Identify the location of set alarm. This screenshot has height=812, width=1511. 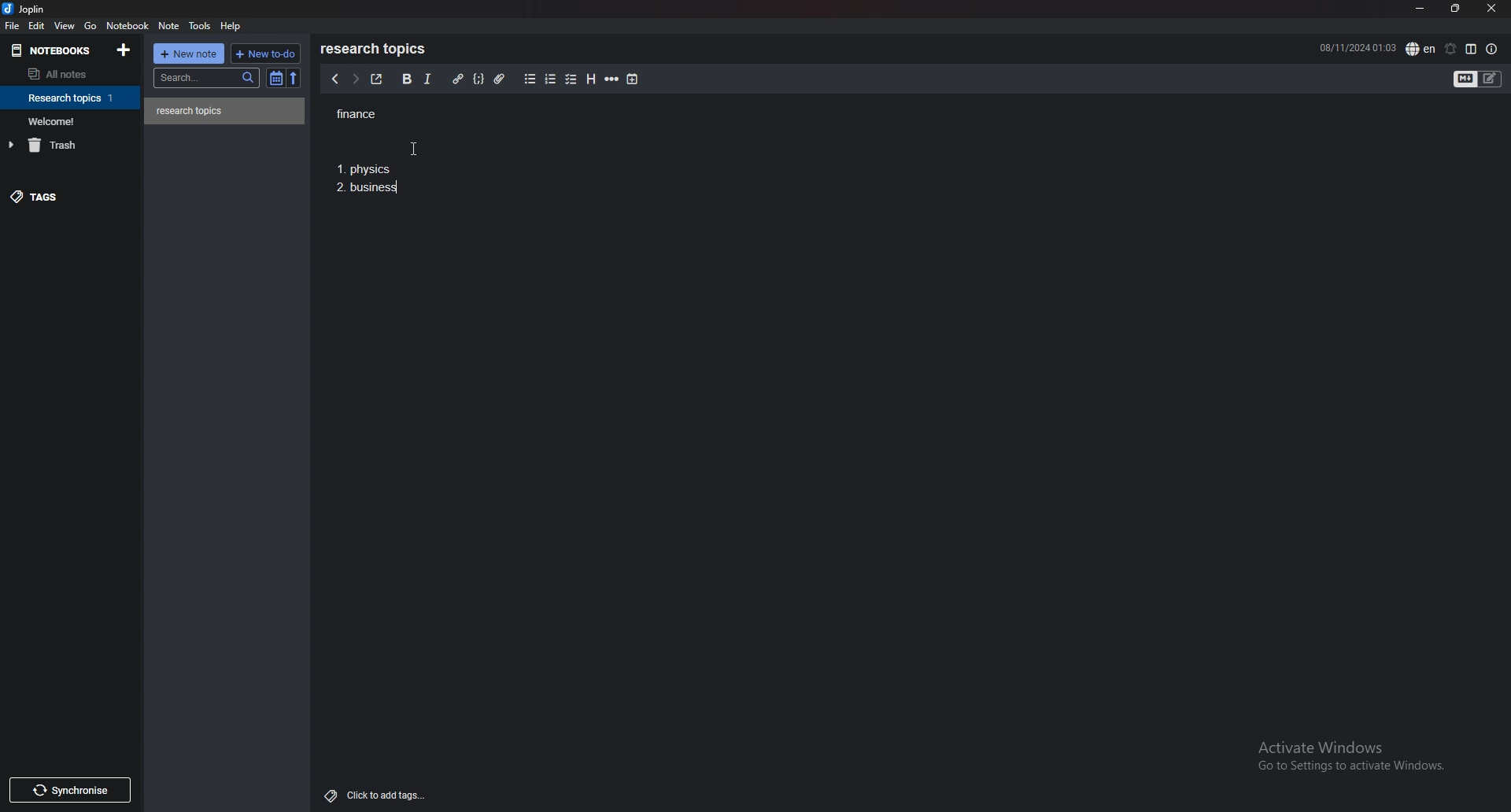
(1449, 49).